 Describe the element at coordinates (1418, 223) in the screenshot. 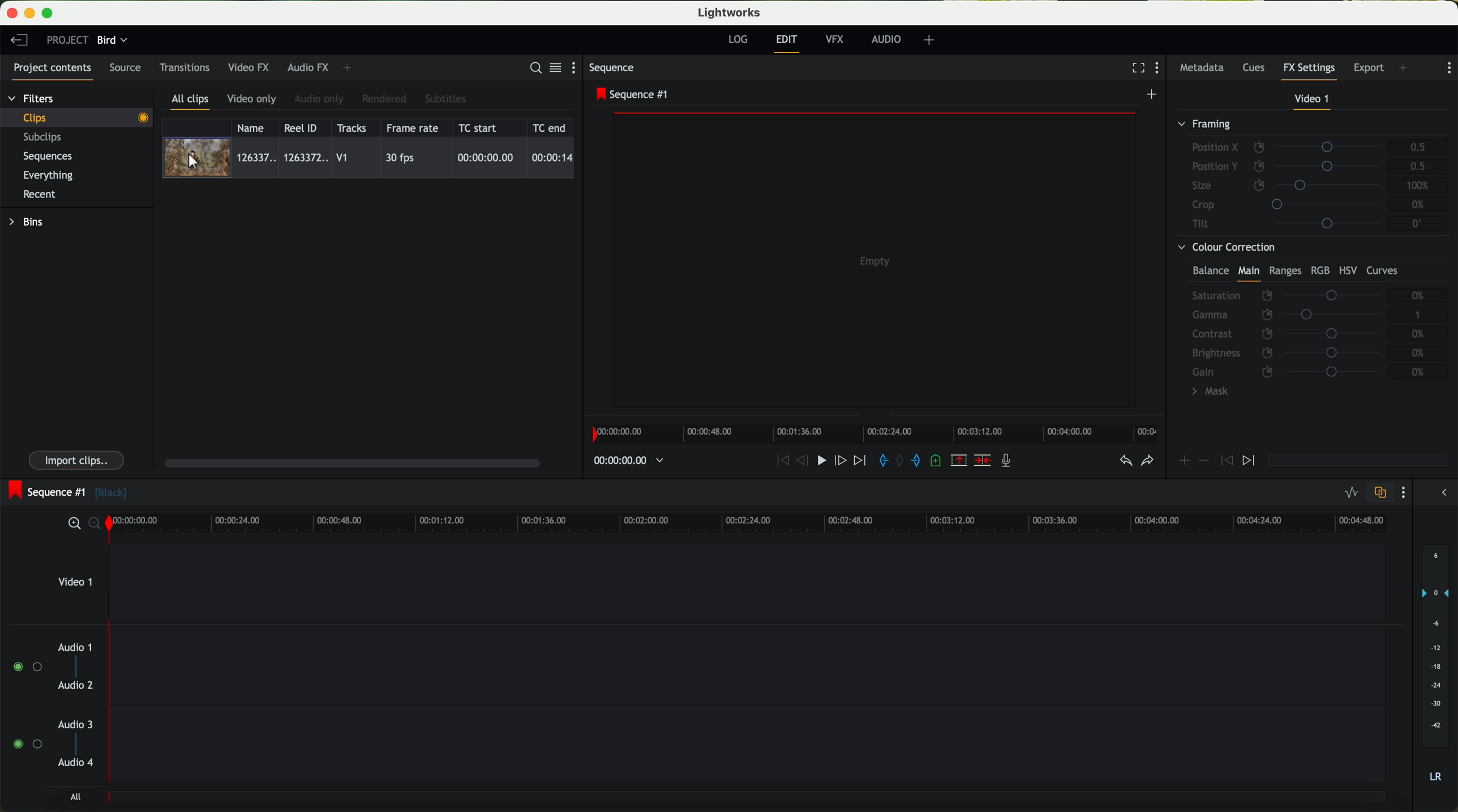

I see `0°` at that location.